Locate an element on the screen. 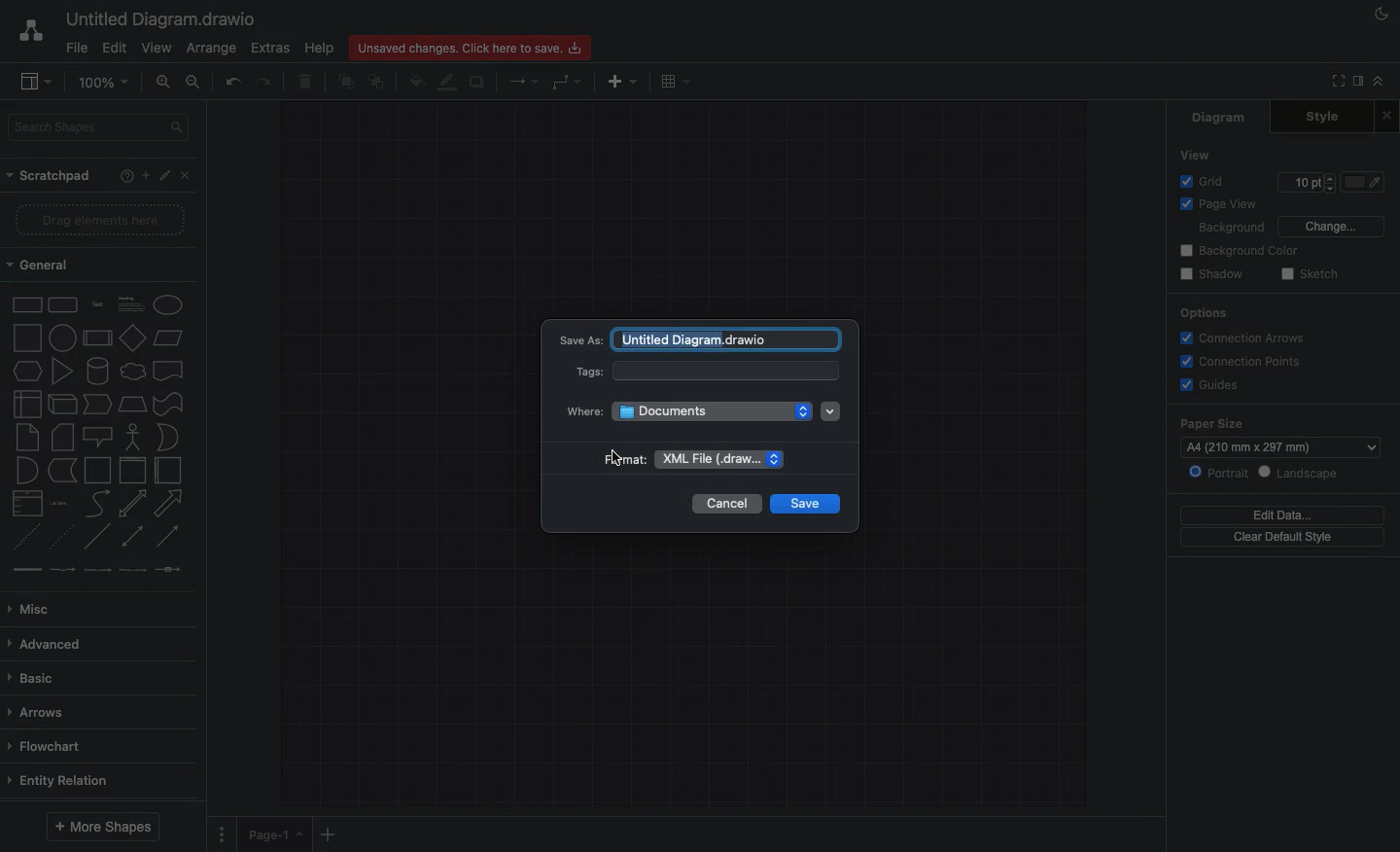 This screenshot has height=852, width=1400. Sidebar is located at coordinates (1356, 83).